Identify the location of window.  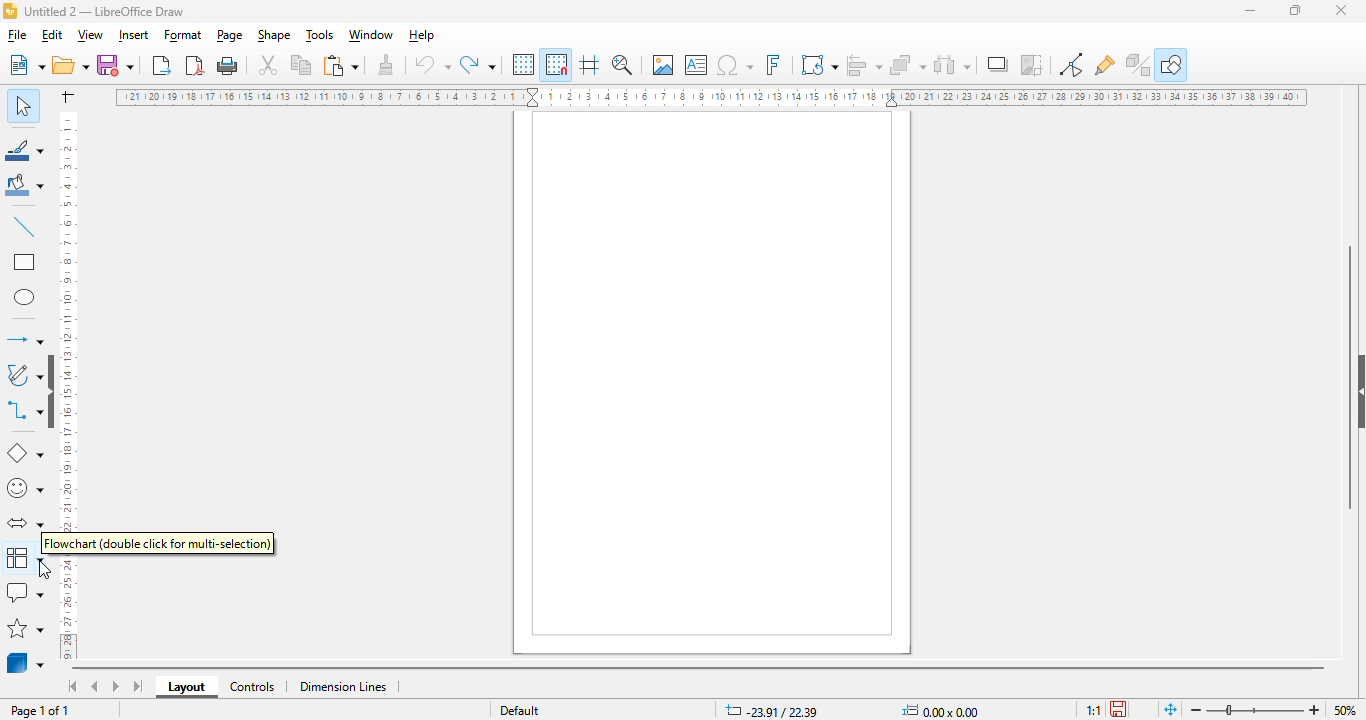
(372, 35).